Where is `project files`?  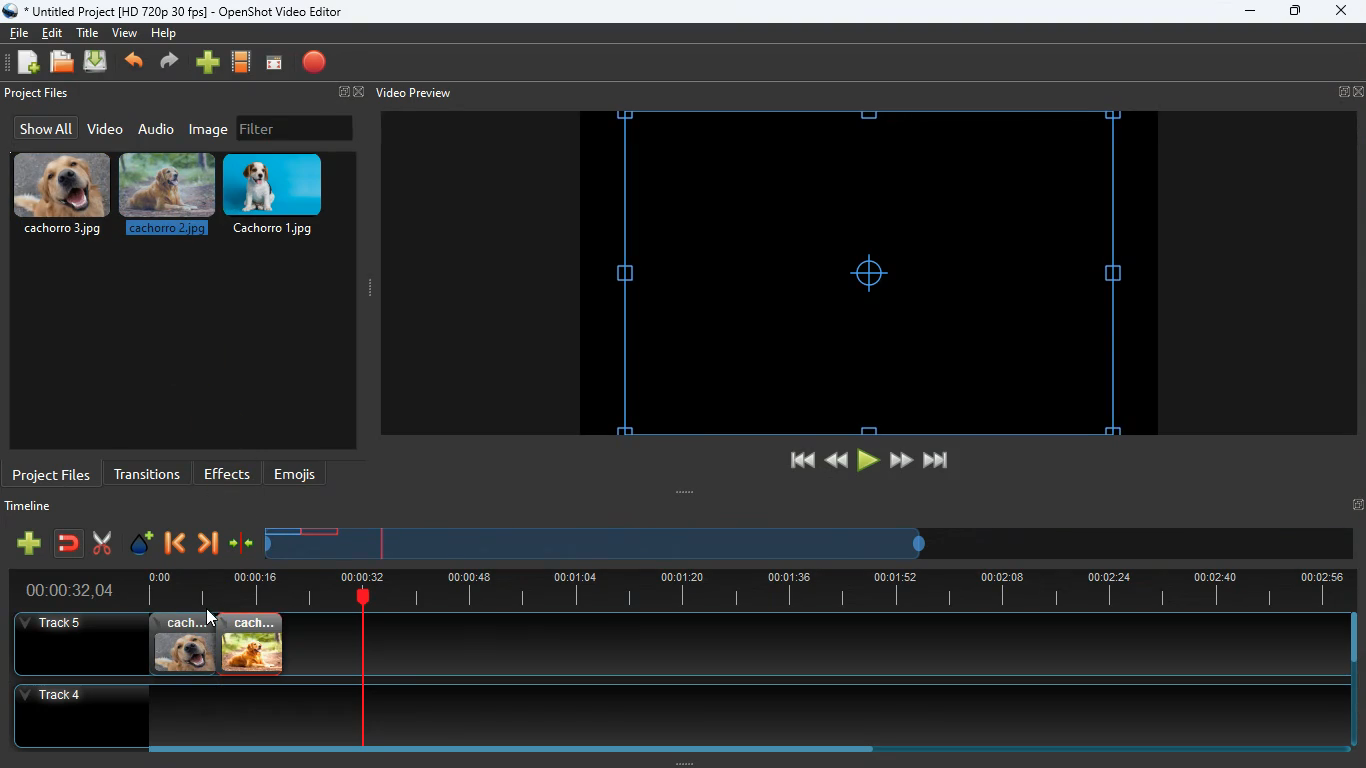 project files is located at coordinates (39, 94).